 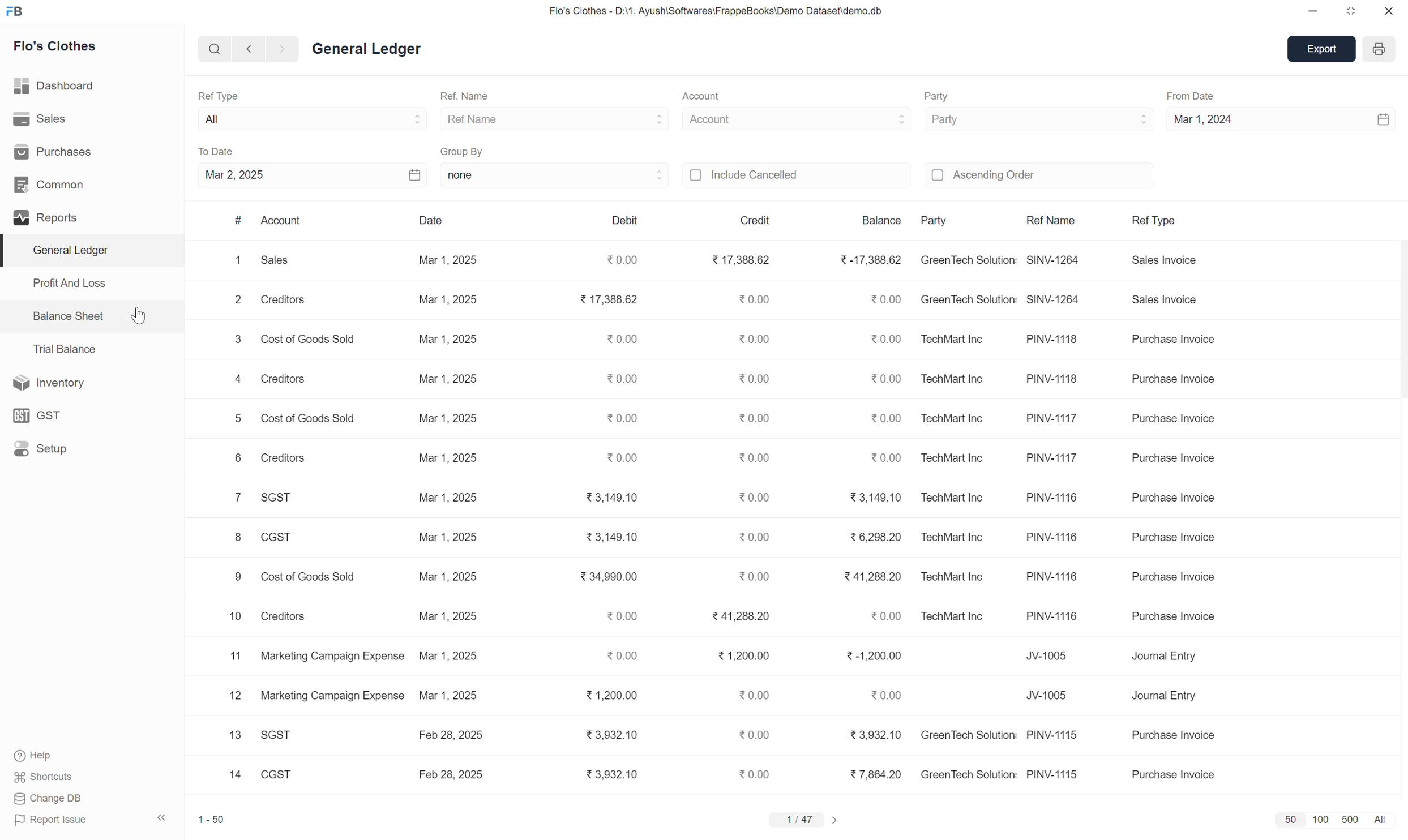 I want to click on Mar 1, 2025, so click(x=450, y=340).